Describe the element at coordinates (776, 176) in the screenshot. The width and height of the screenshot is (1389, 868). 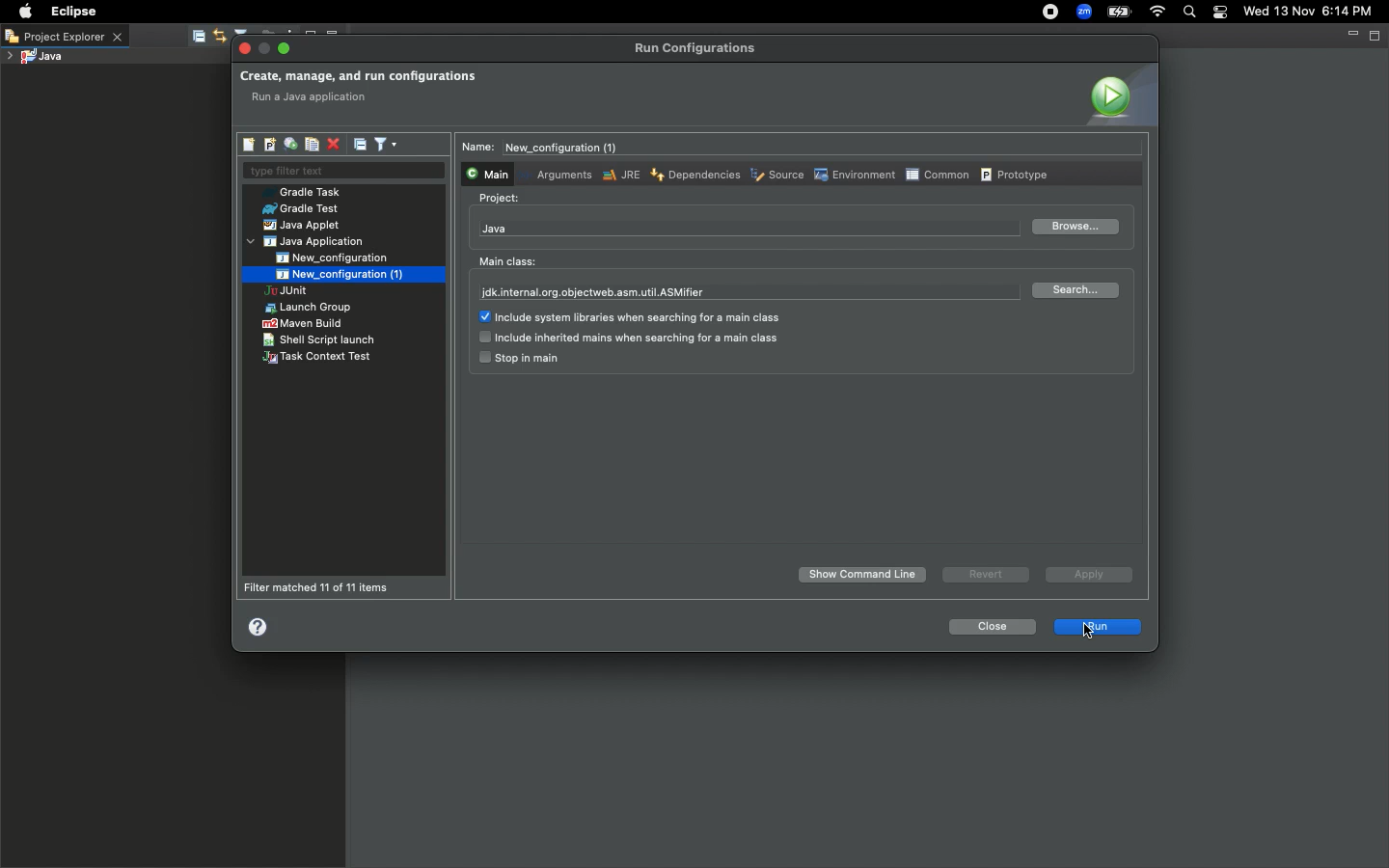
I see `Source` at that location.